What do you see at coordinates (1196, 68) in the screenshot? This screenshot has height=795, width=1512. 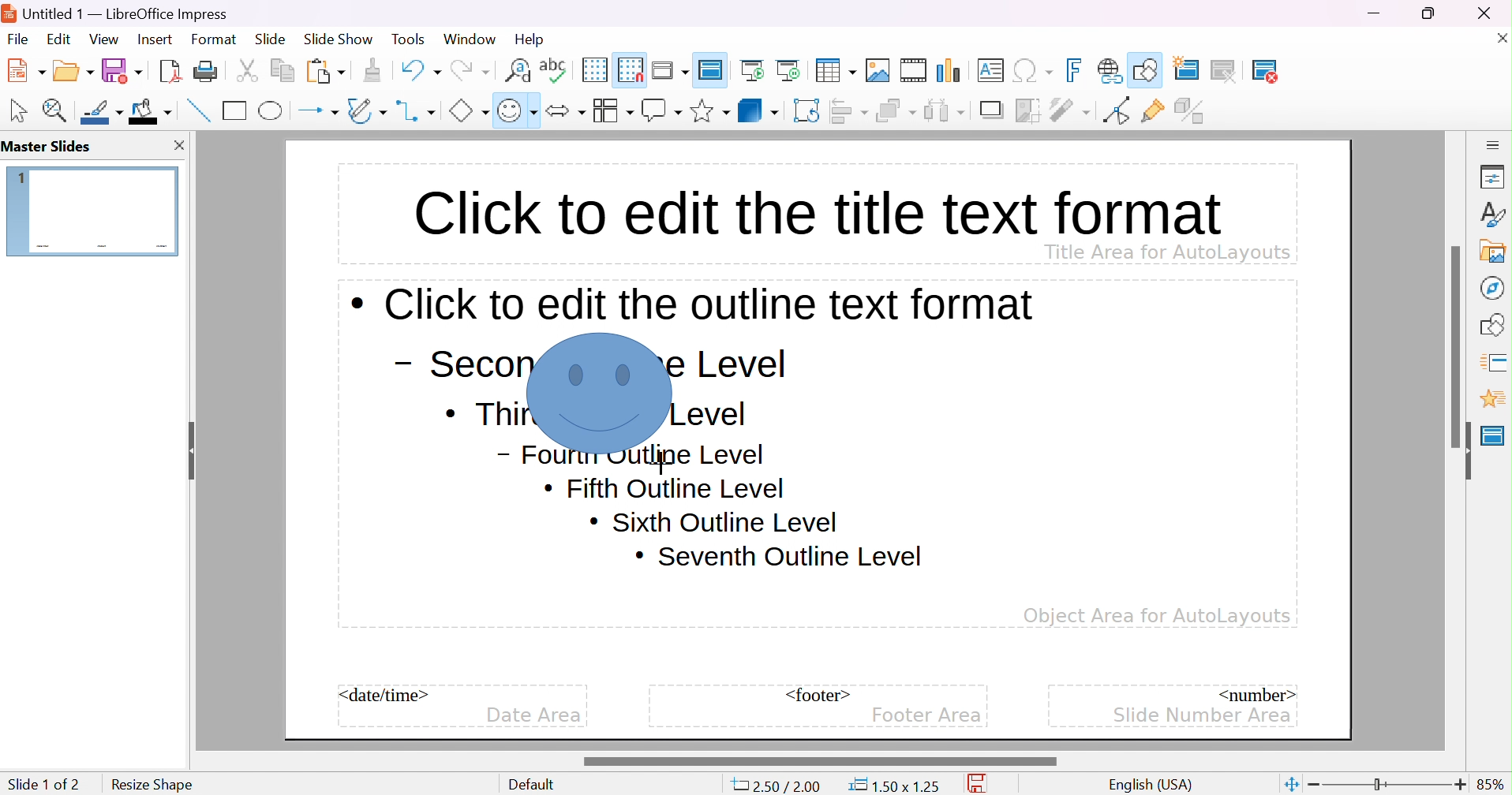 I see `new slide` at bounding box center [1196, 68].